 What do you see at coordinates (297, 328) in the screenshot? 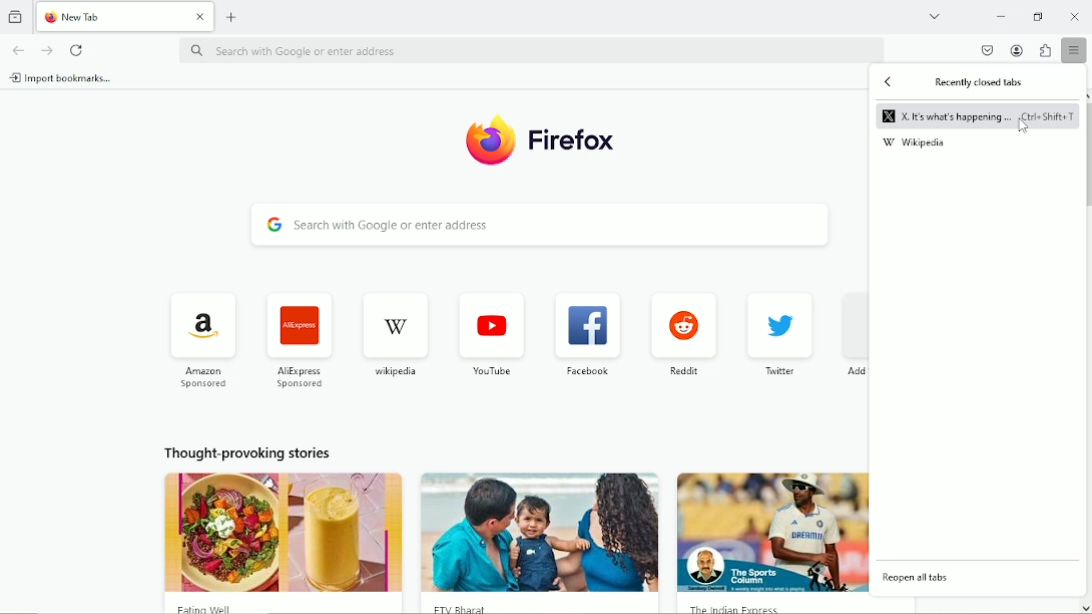
I see `icon` at bounding box center [297, 328].